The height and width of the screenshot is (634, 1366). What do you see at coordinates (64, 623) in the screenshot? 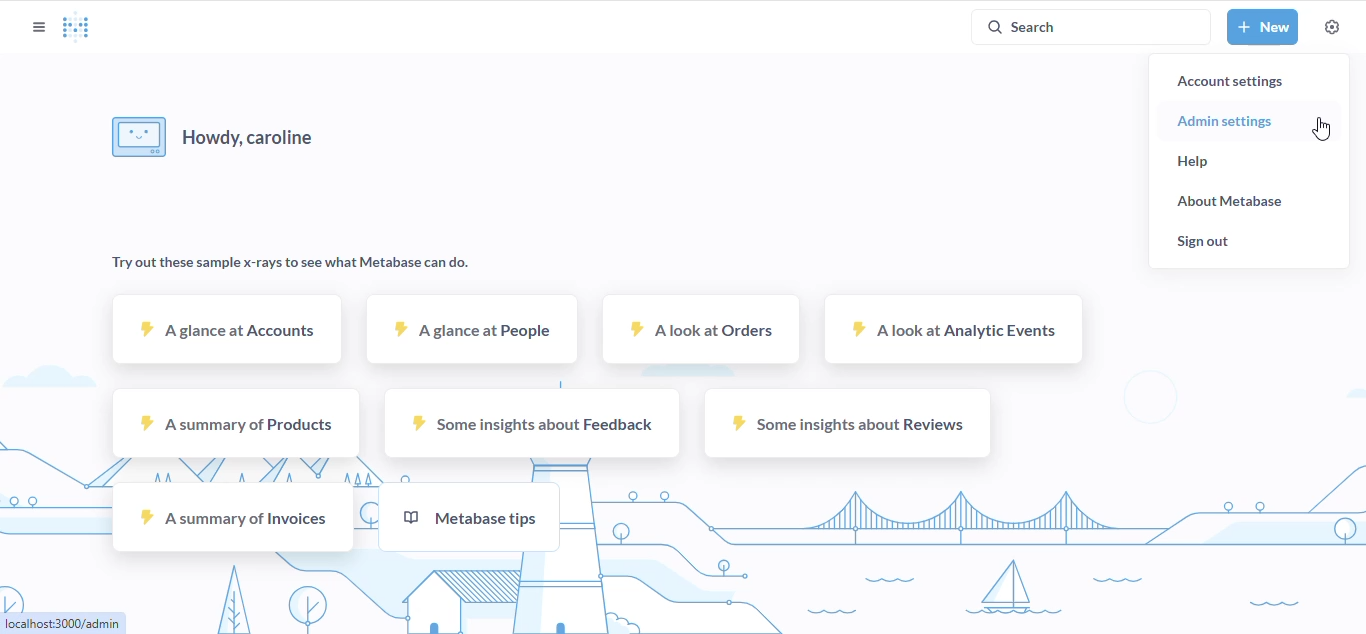
I see `link` at bounding box center [64, 623].